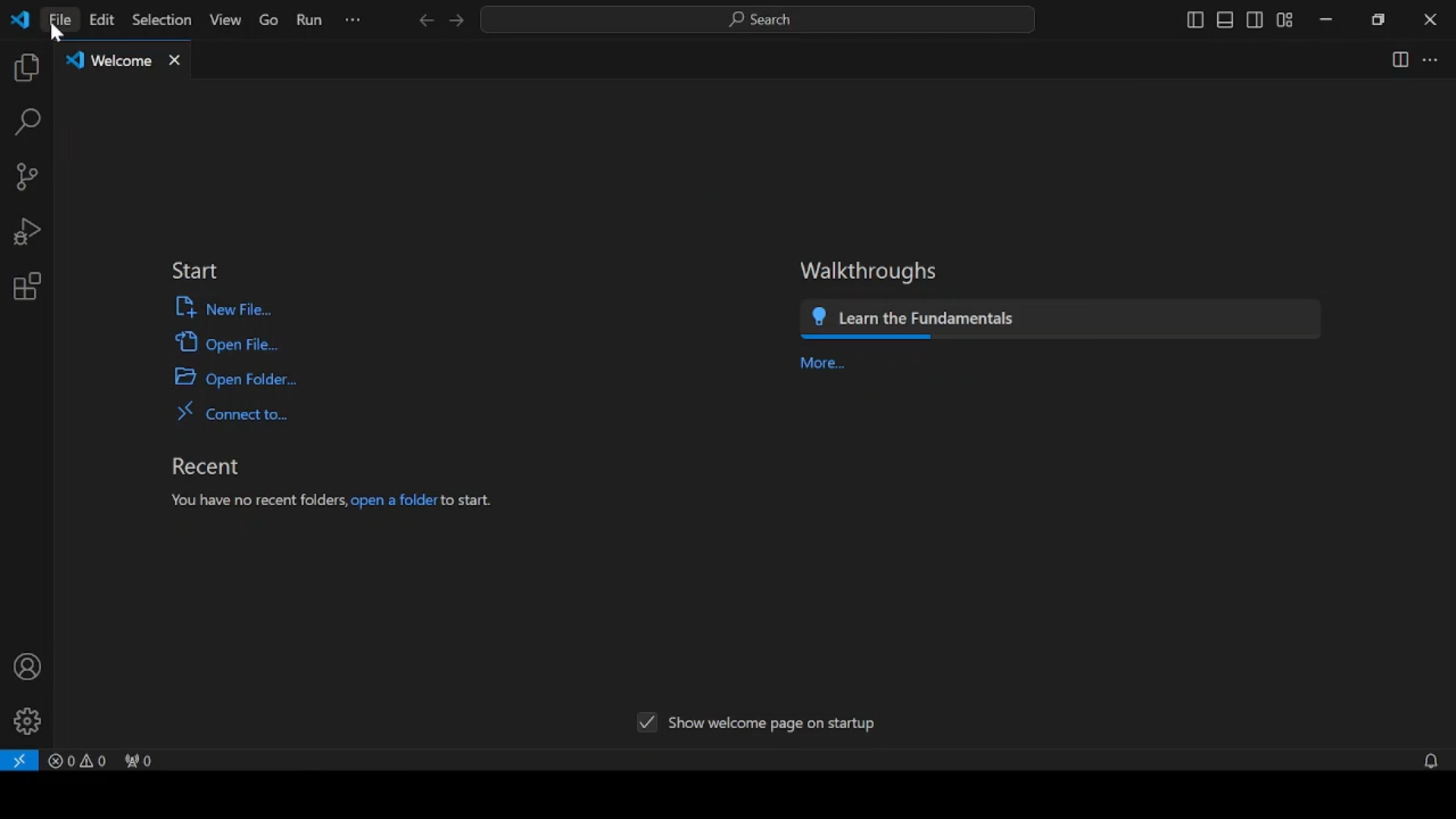 The height and width of the screenshot is (819, 1456). What do you see at coordinates (457, 20) in the screenshot?
I see `next` at bounding box center [457, 20].